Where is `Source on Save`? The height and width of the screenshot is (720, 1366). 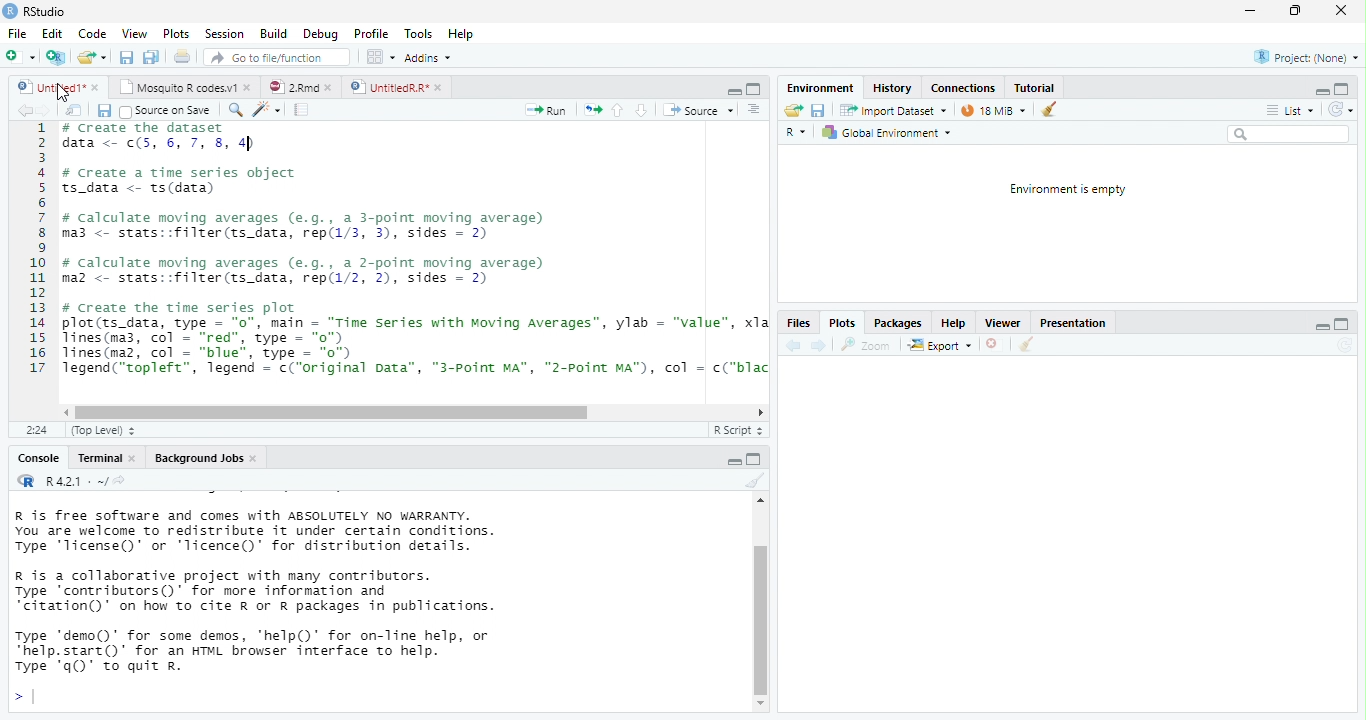
Source on Save is located at coordinates (164, 111).